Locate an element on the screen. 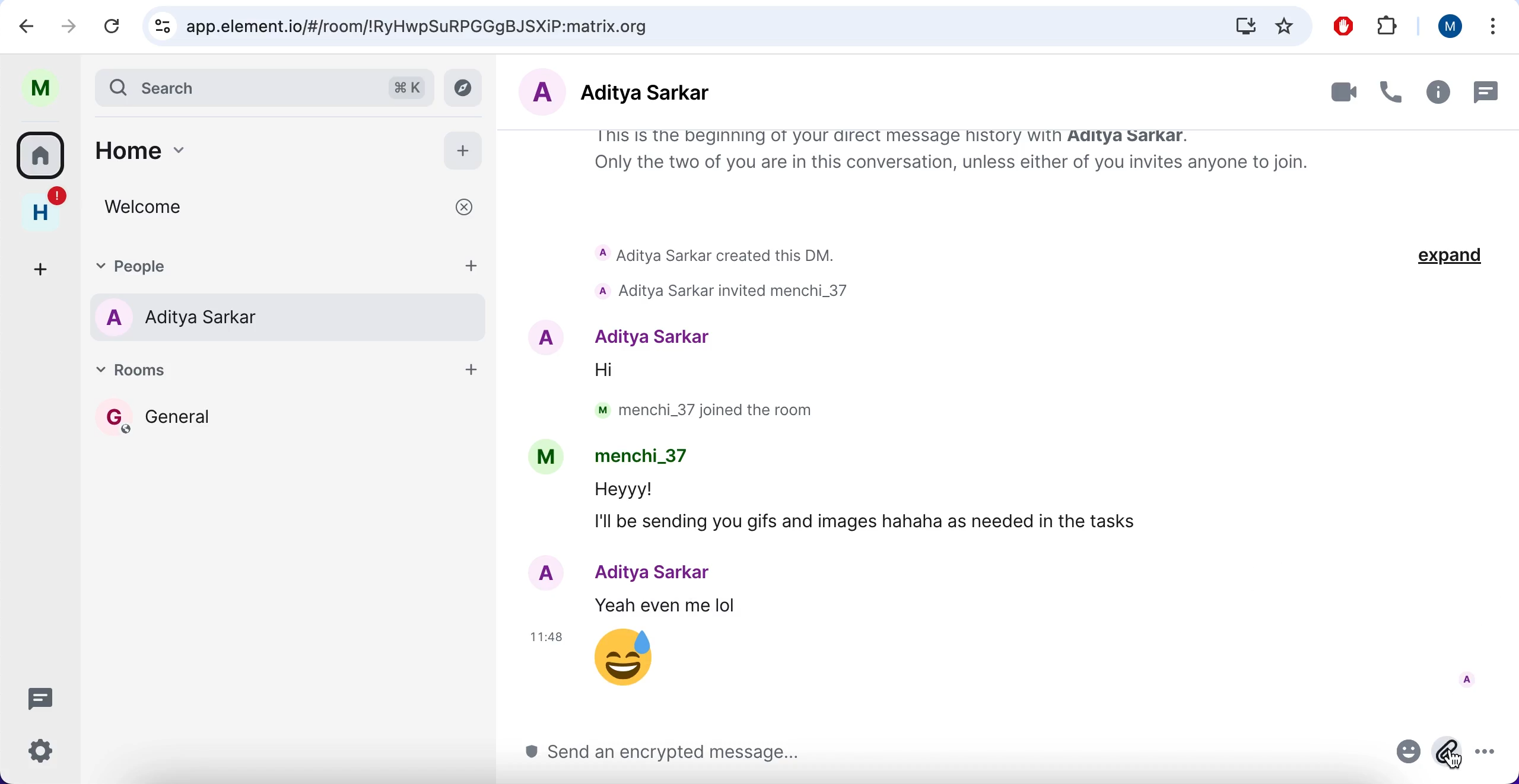 This screenshot has width=1519, height=784. rooms is located at coordinates (291, 435).